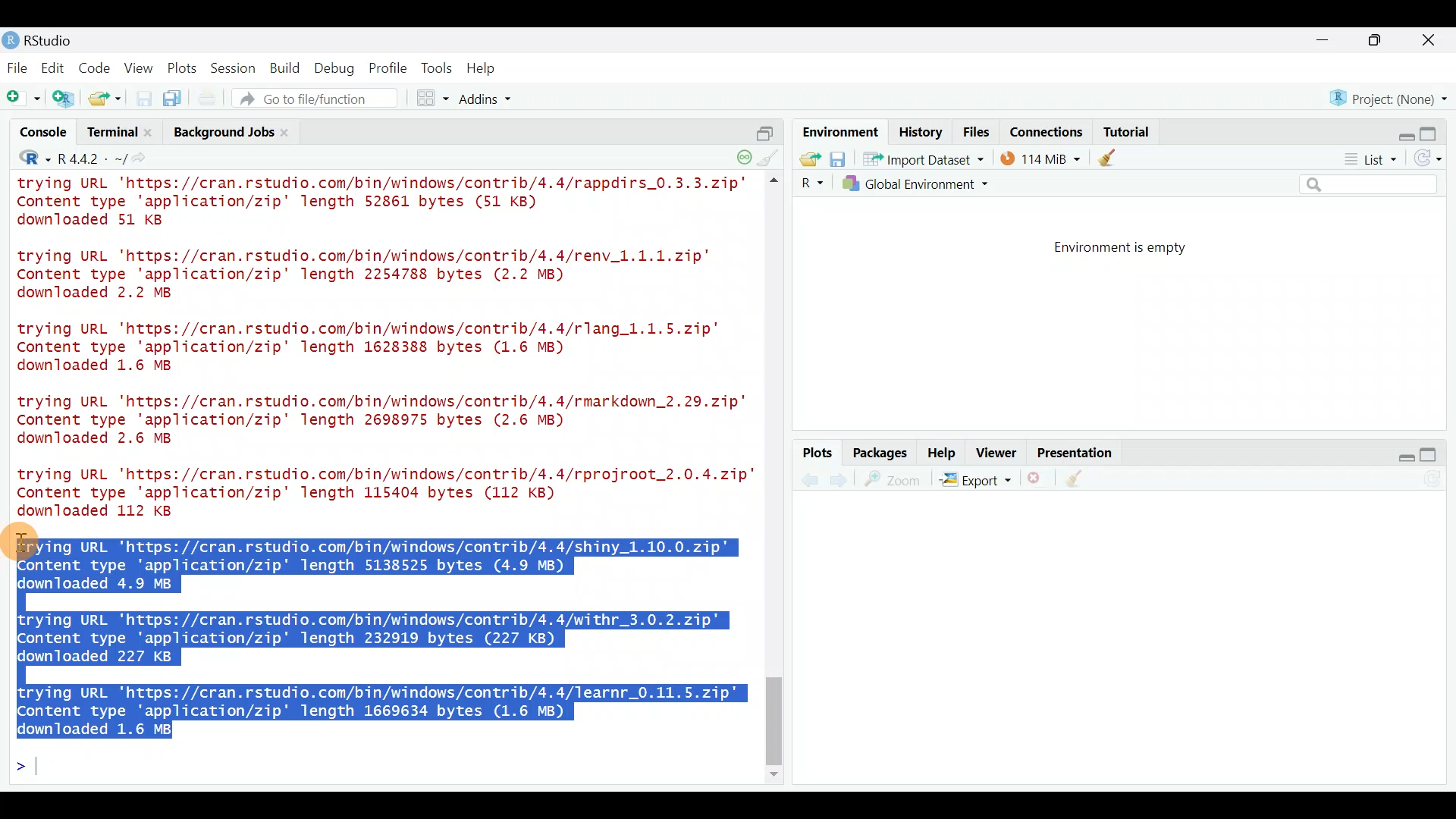  I want to click on session suspend timeout paused - a child session is running, so click(743, 152).